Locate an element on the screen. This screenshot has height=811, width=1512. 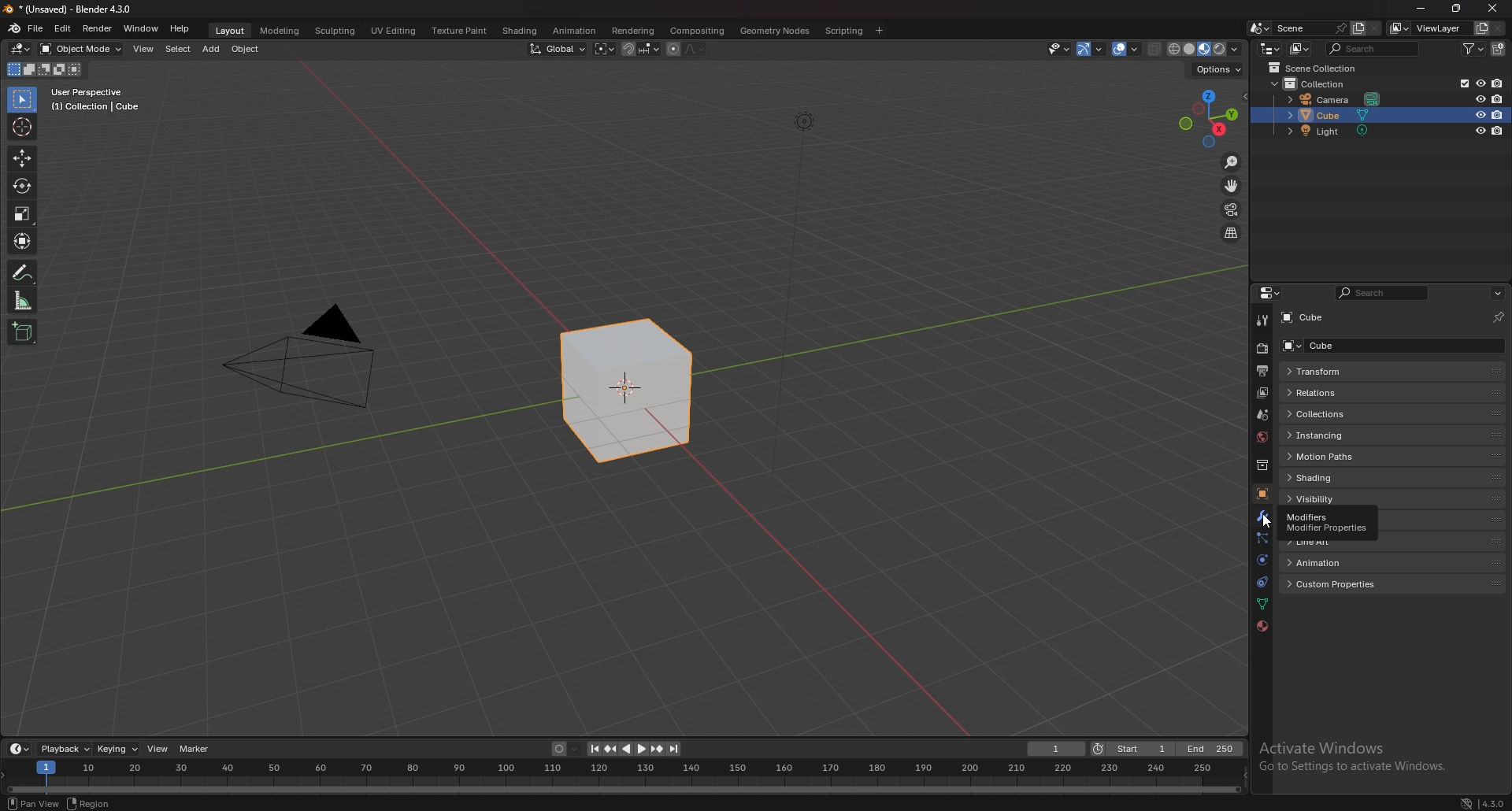
auto keying is located at coordinates (566, 750).